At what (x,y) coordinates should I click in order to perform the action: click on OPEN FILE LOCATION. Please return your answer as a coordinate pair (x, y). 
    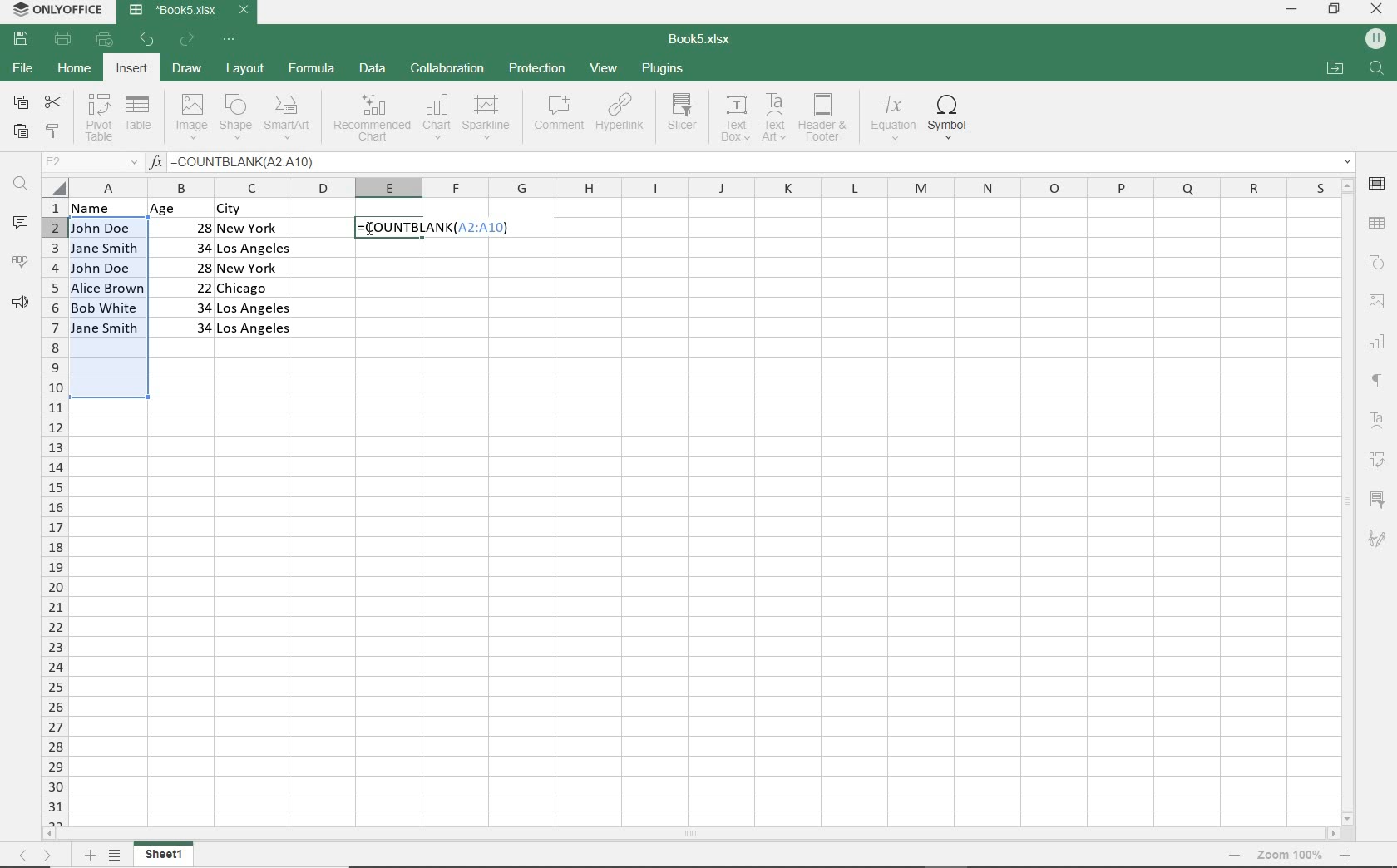
    Looking at the image, I should click on (1334, 69).